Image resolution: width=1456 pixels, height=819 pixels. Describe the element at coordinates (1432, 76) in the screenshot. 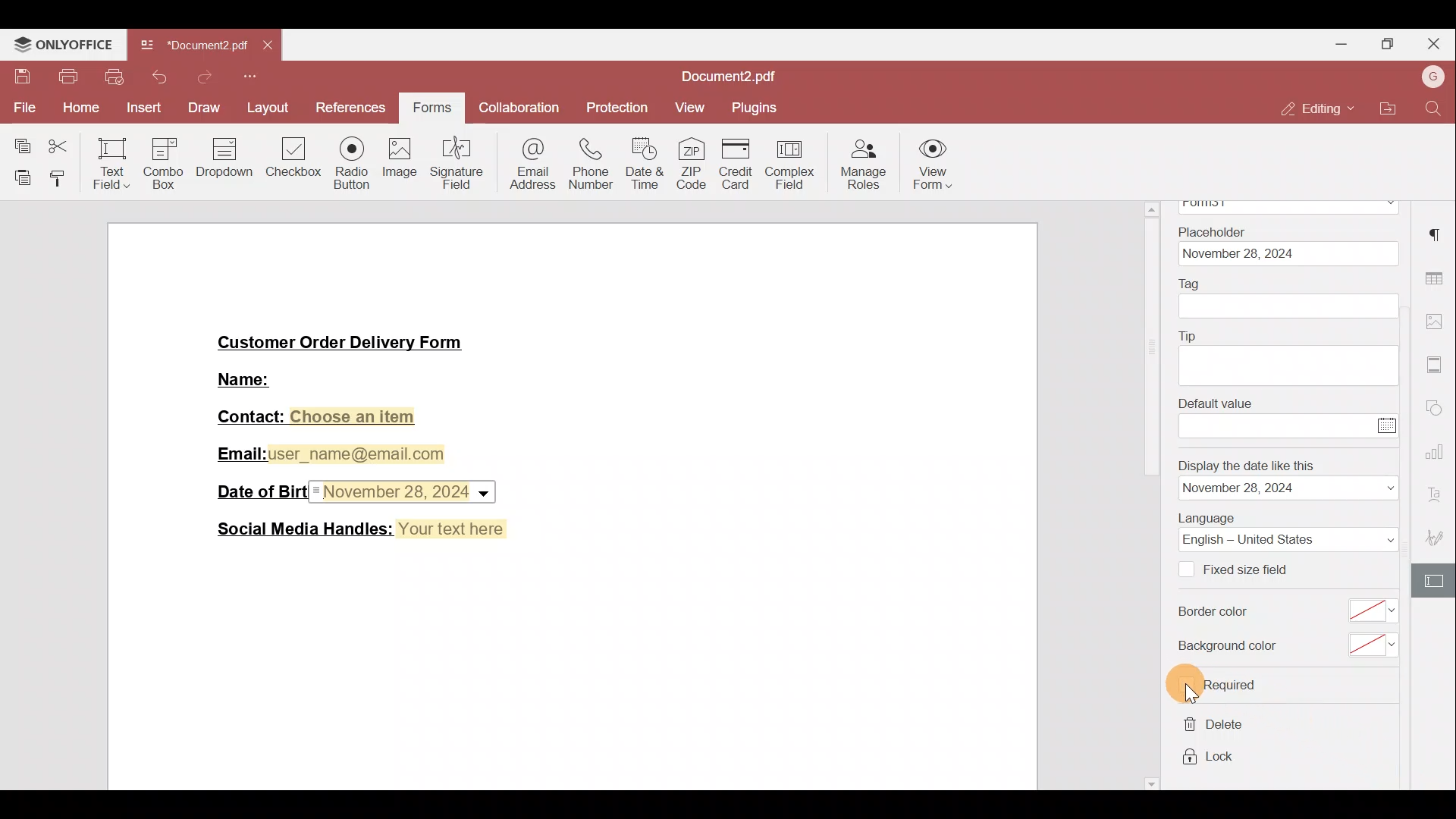

I see `Account name` at that location.